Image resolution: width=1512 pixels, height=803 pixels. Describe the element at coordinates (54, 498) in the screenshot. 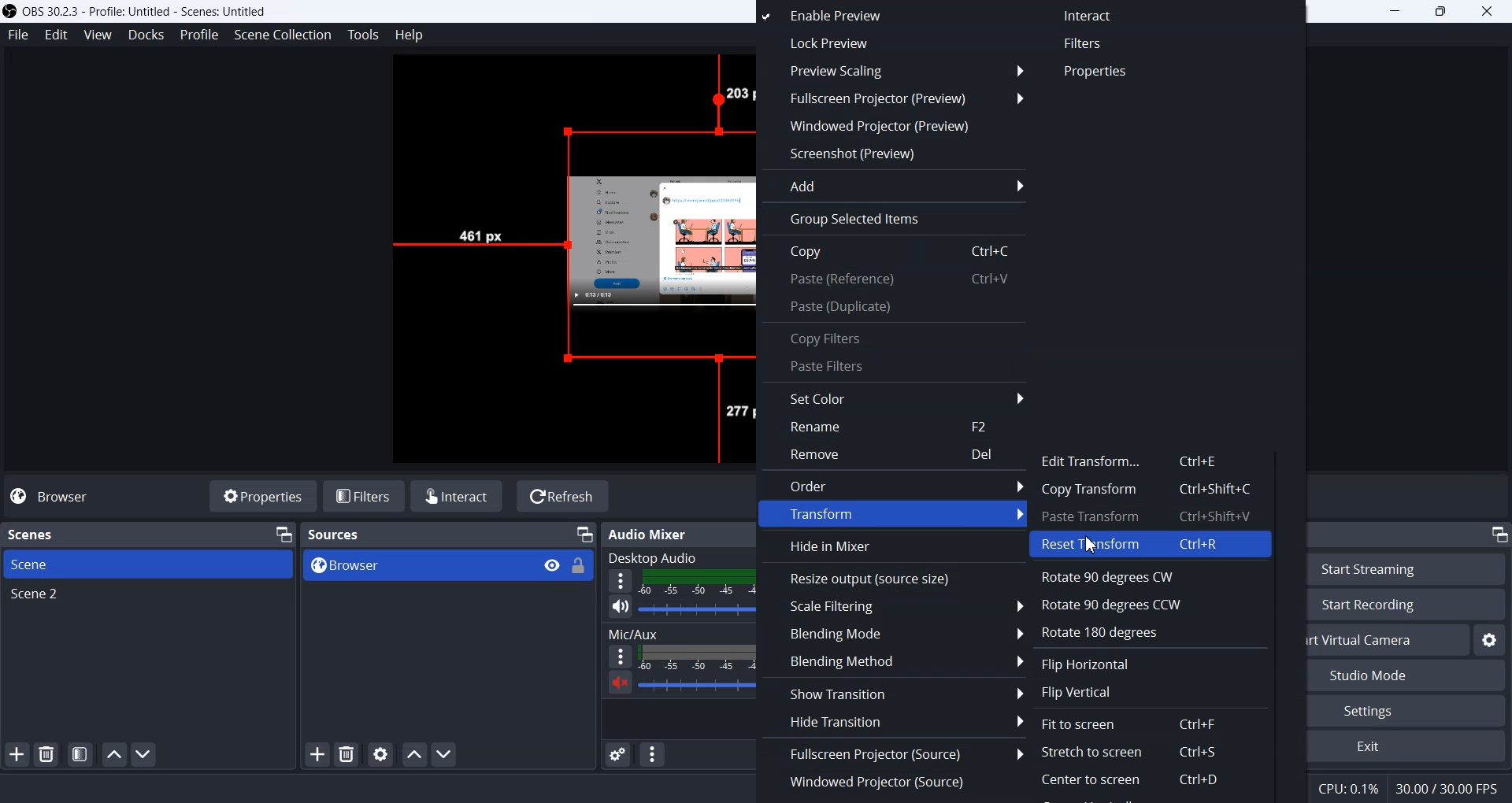

I see `Browser` at that location.